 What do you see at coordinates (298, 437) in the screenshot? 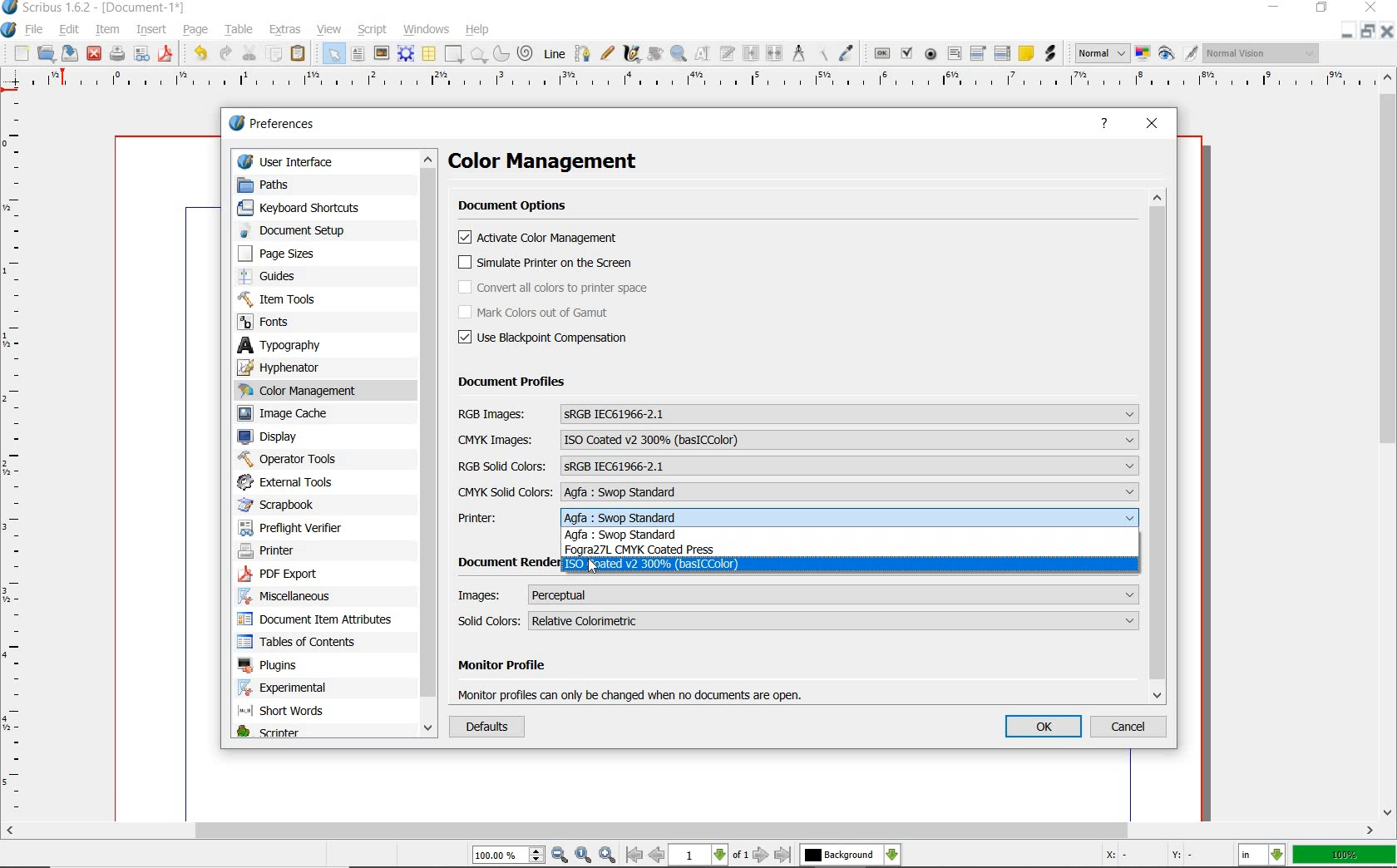
I see `display` at bounding box center [298, 437].